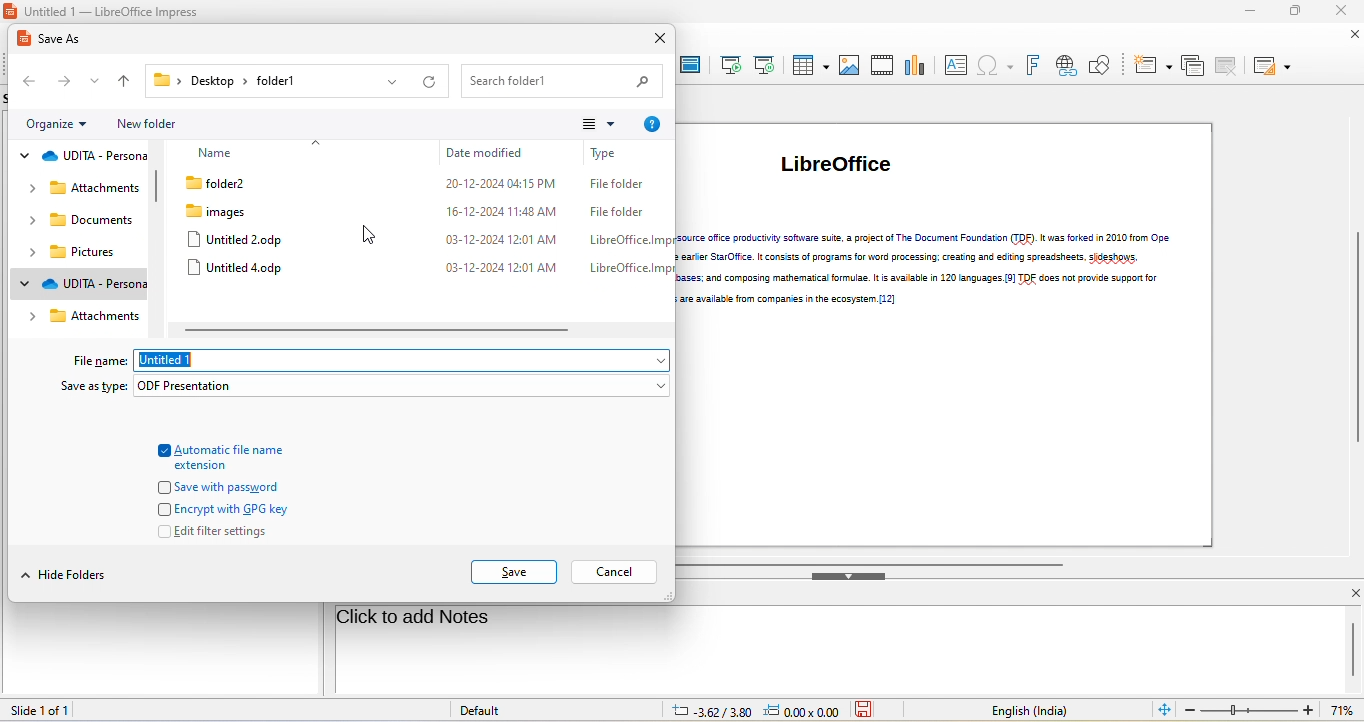 Image resolution: width=1364 pixels, height=722 pixels. I want to click on chart, so click(914, 67).